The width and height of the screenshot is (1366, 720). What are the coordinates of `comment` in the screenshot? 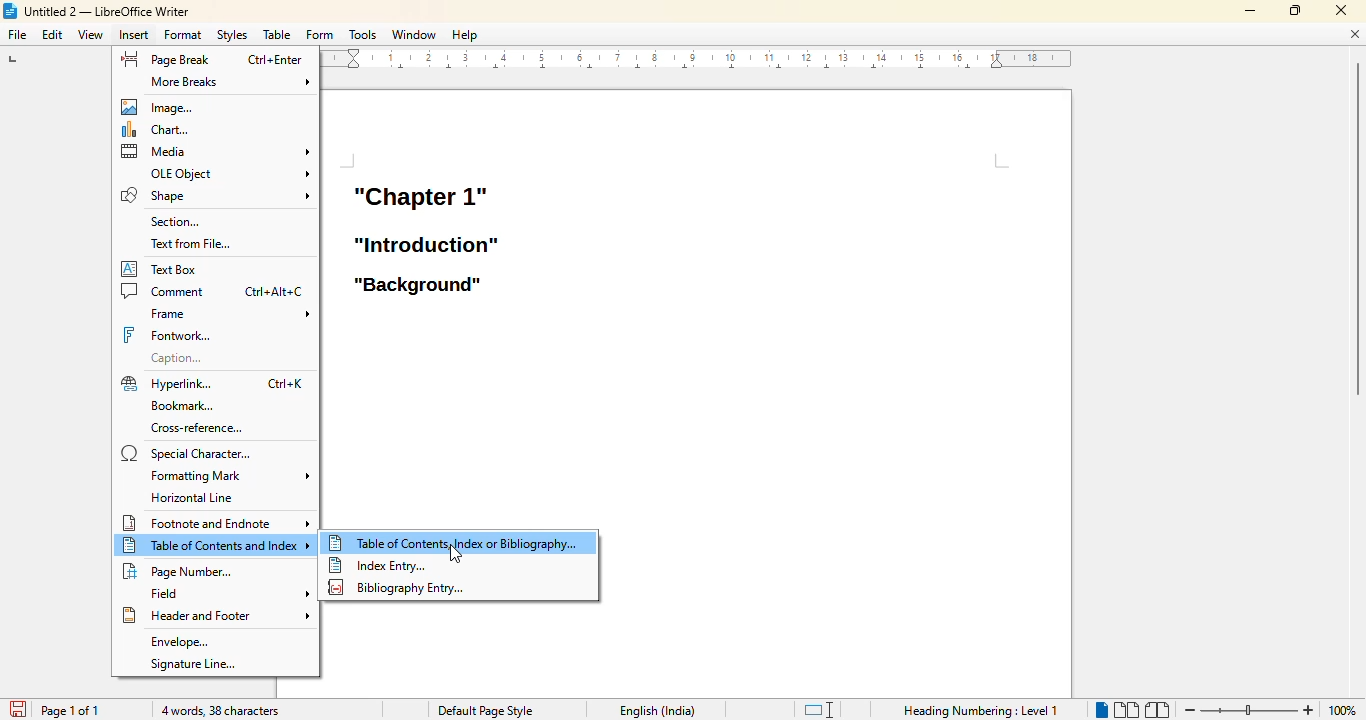 It's located at (164, 291).